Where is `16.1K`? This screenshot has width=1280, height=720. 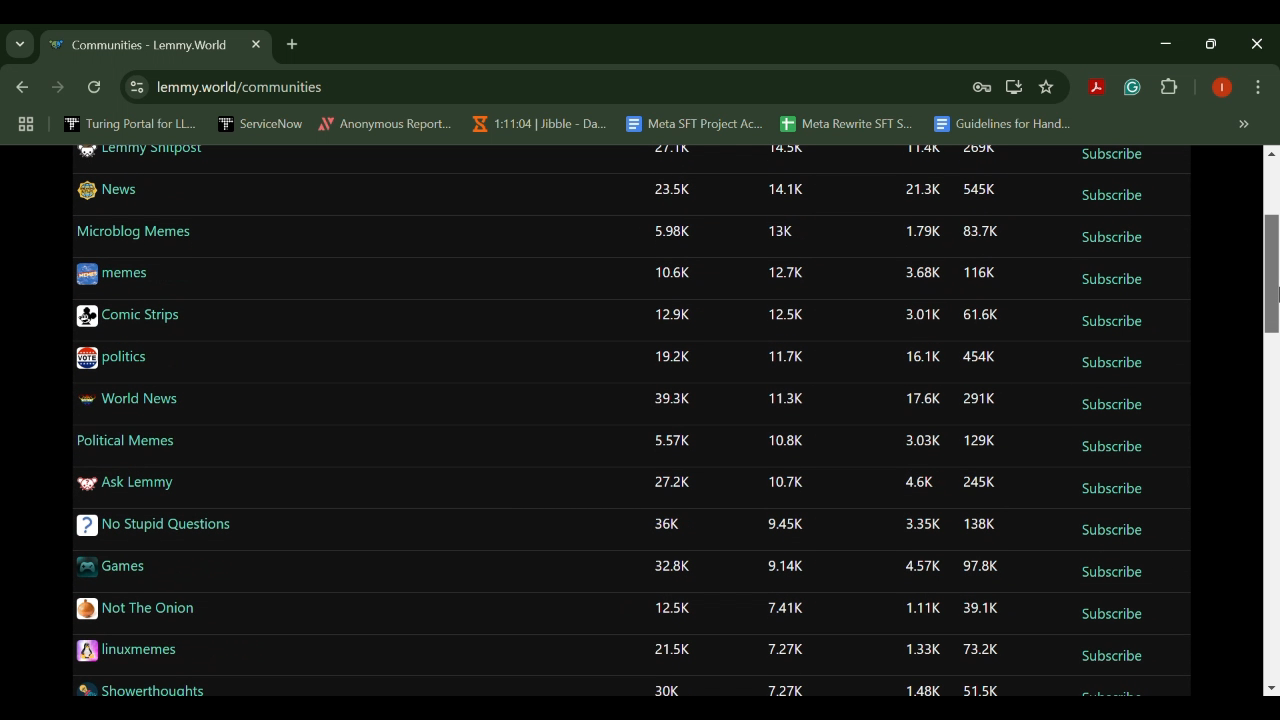
16.1K is located at coordinates (924, 359).